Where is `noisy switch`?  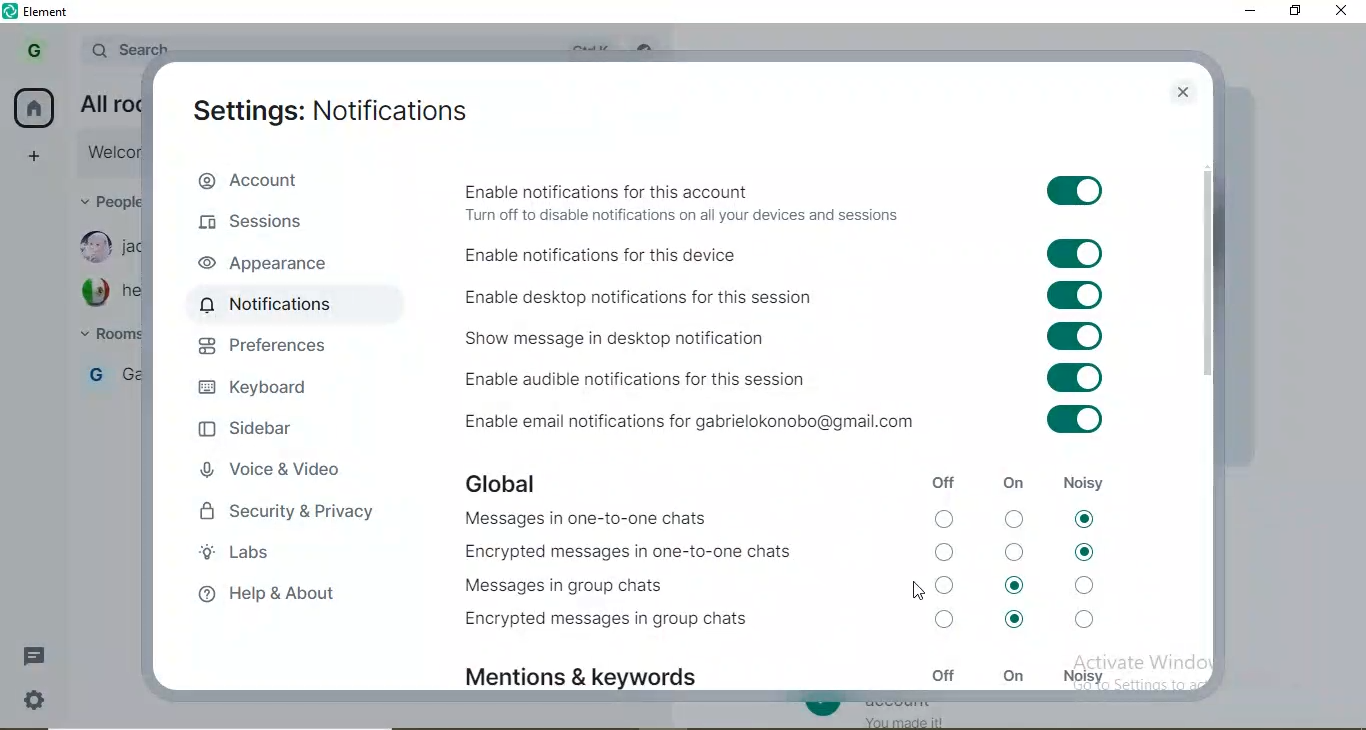 noisy switch is located at coordinates (1083, 517).